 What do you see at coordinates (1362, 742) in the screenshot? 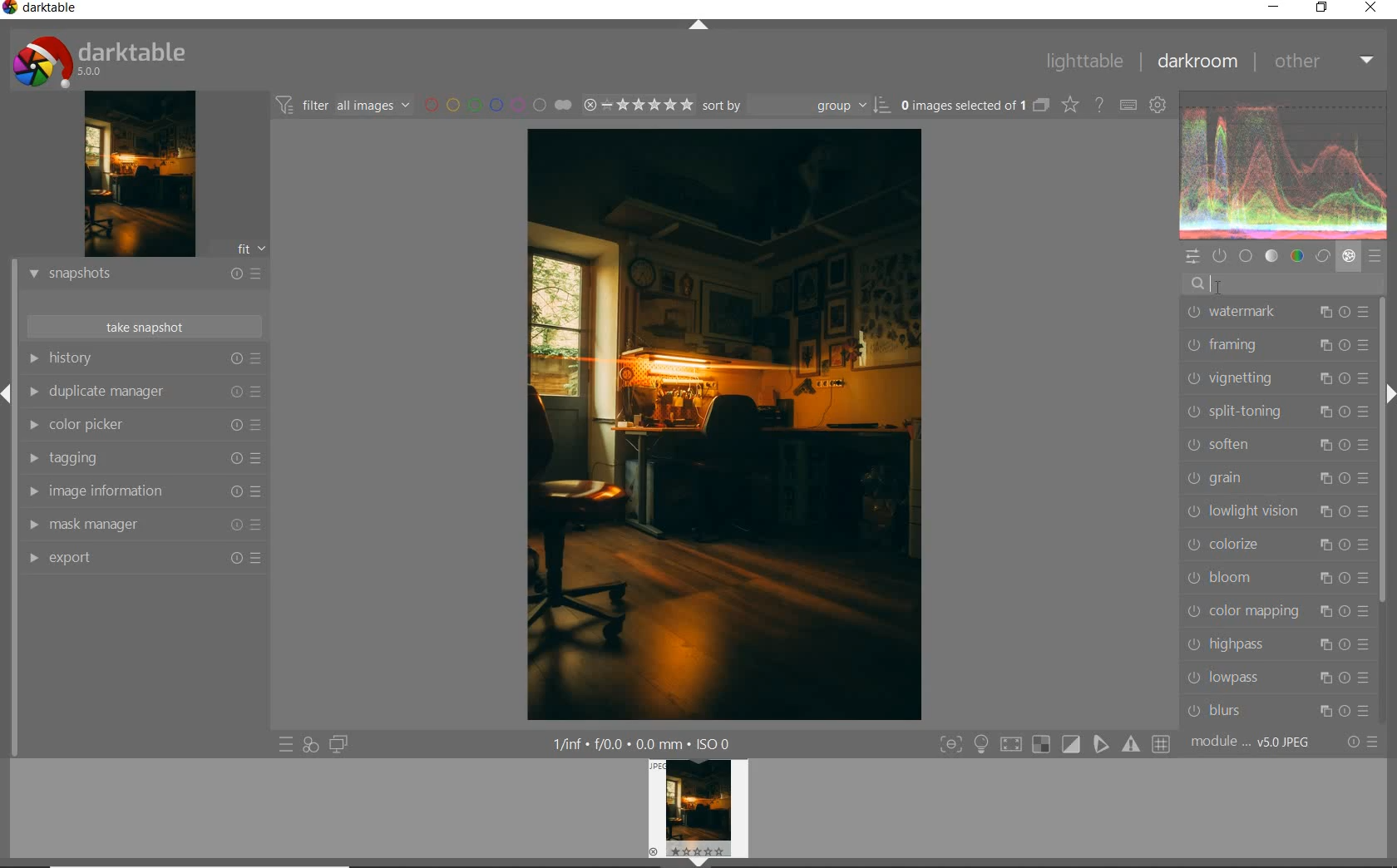
I see `reset or presets & preferences` at bounding box center [1362, 742].